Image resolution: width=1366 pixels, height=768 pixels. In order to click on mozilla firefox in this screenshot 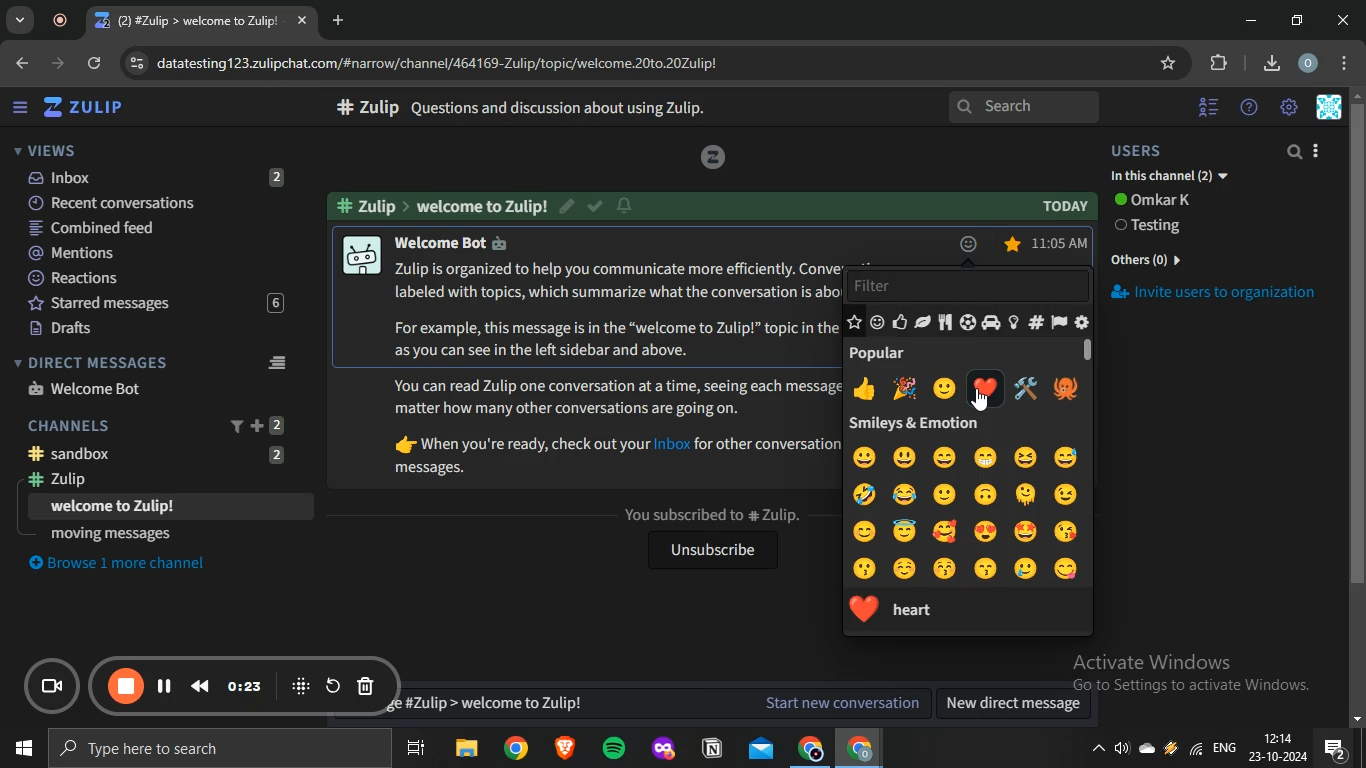, I will do `click(662, 749)`.